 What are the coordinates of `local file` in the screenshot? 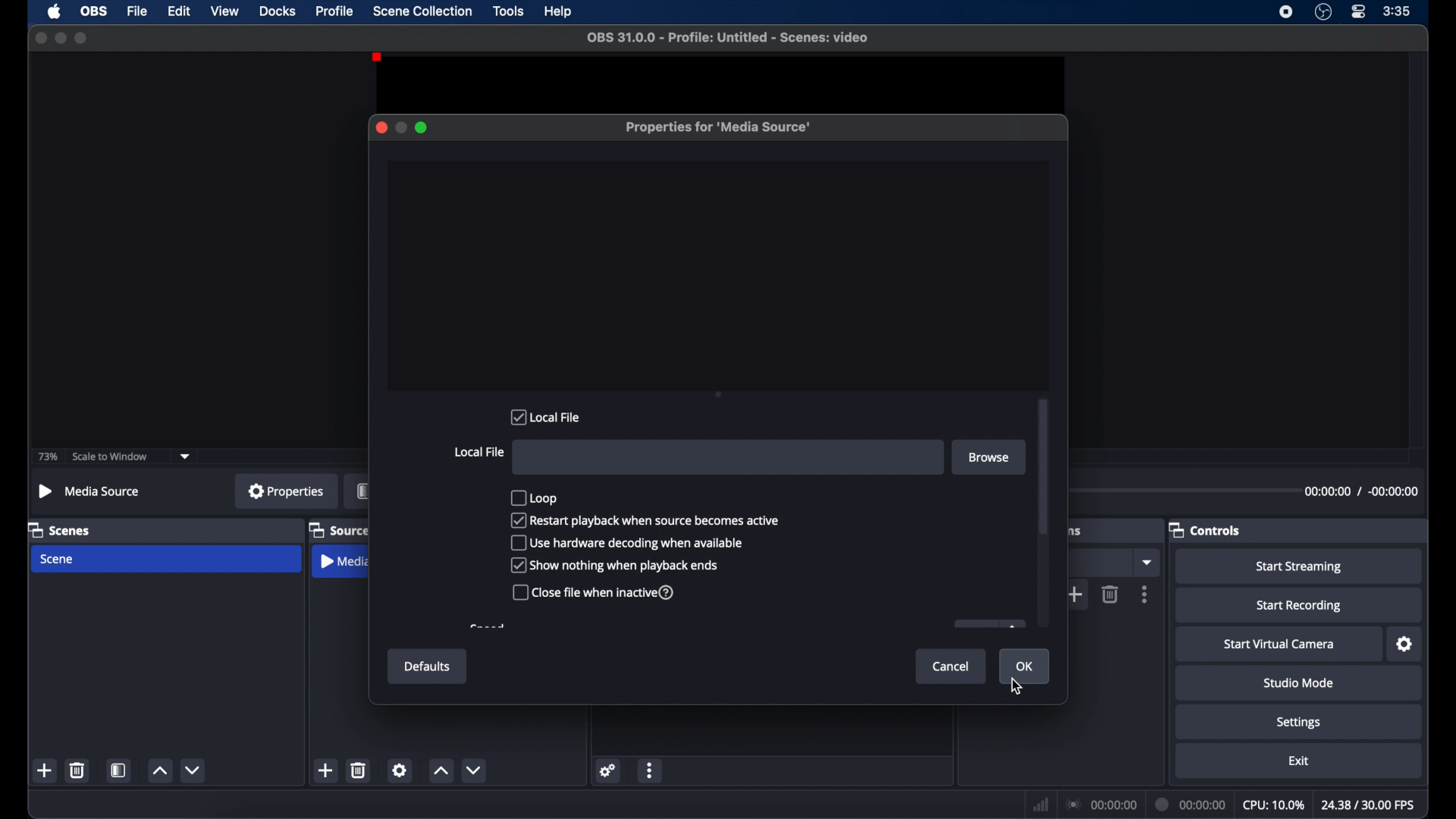 It's located at (477, 452).